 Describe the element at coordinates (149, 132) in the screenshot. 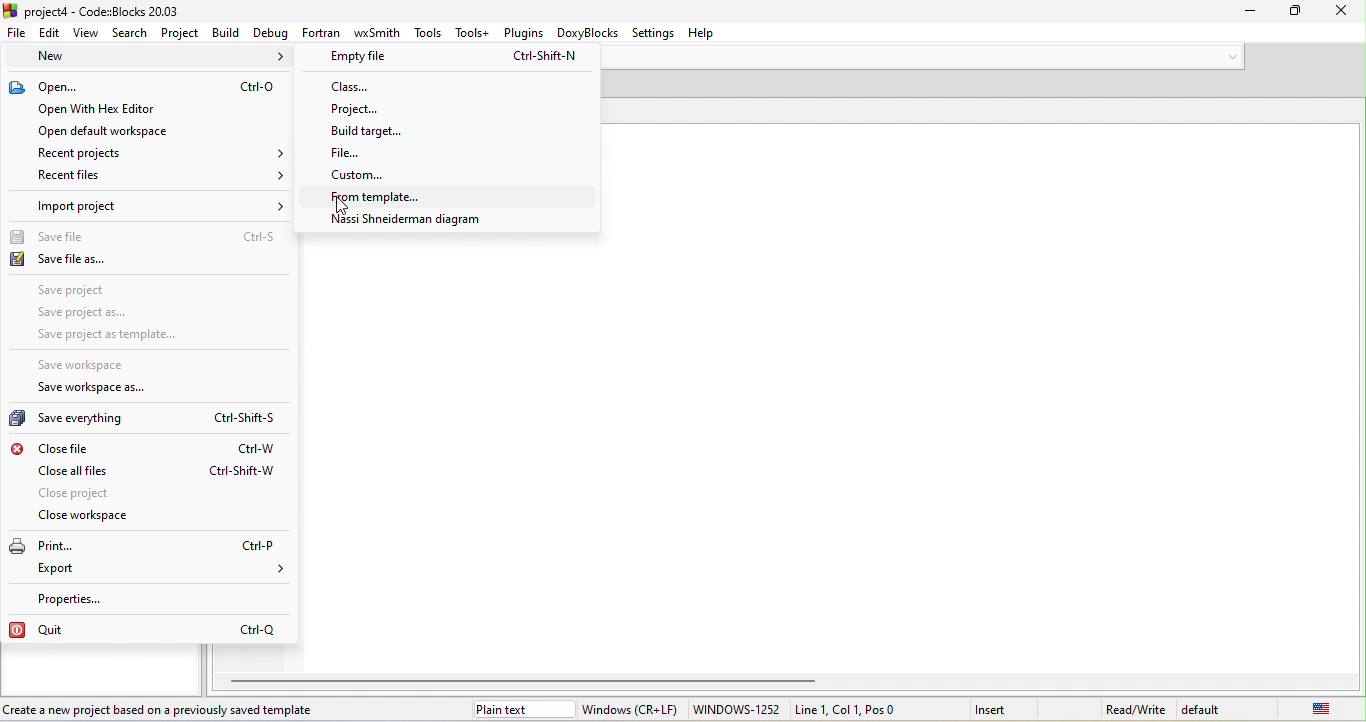

I see `open default workspace` at that location.